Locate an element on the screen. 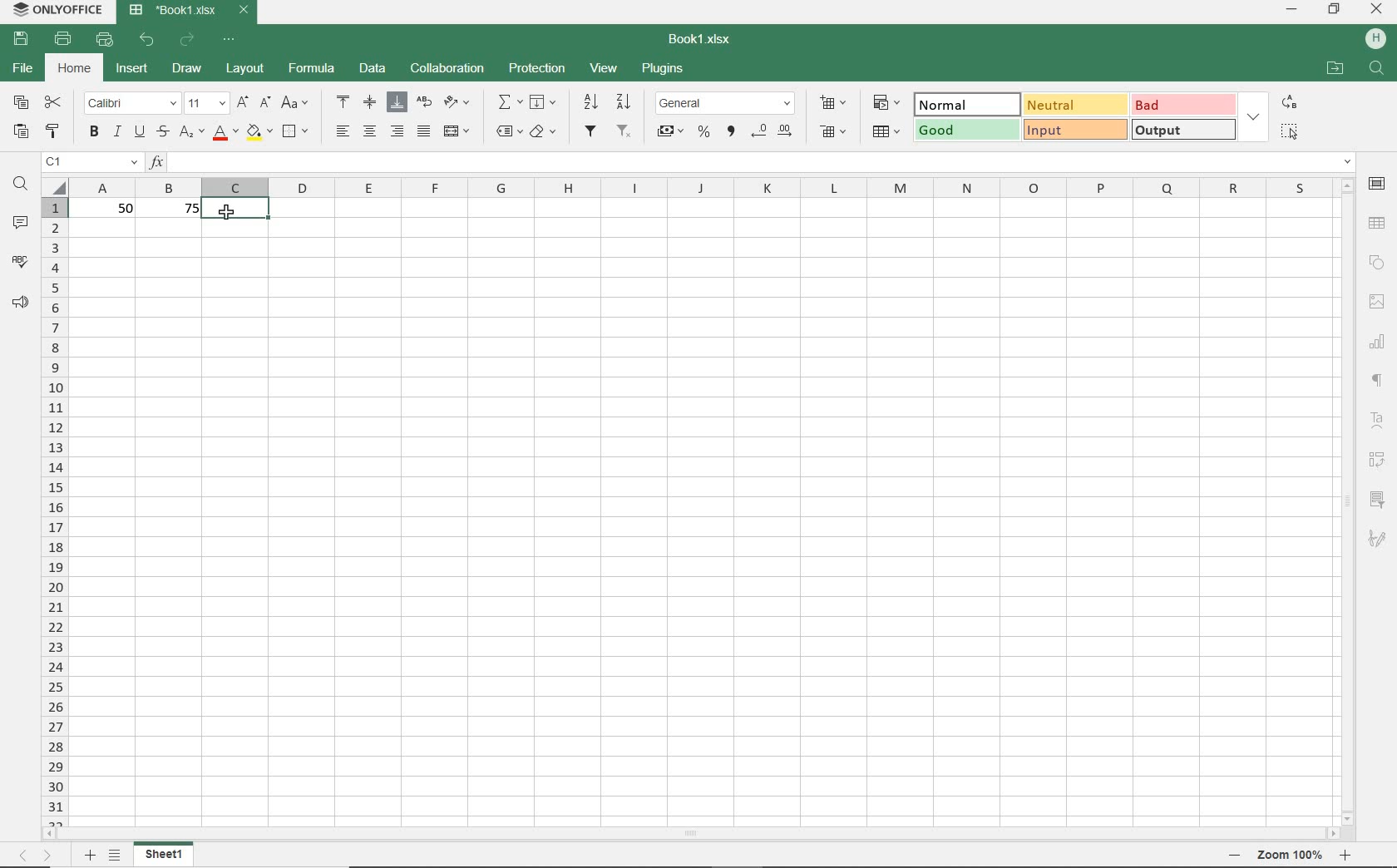  rows is located at coordinates (54, 510).